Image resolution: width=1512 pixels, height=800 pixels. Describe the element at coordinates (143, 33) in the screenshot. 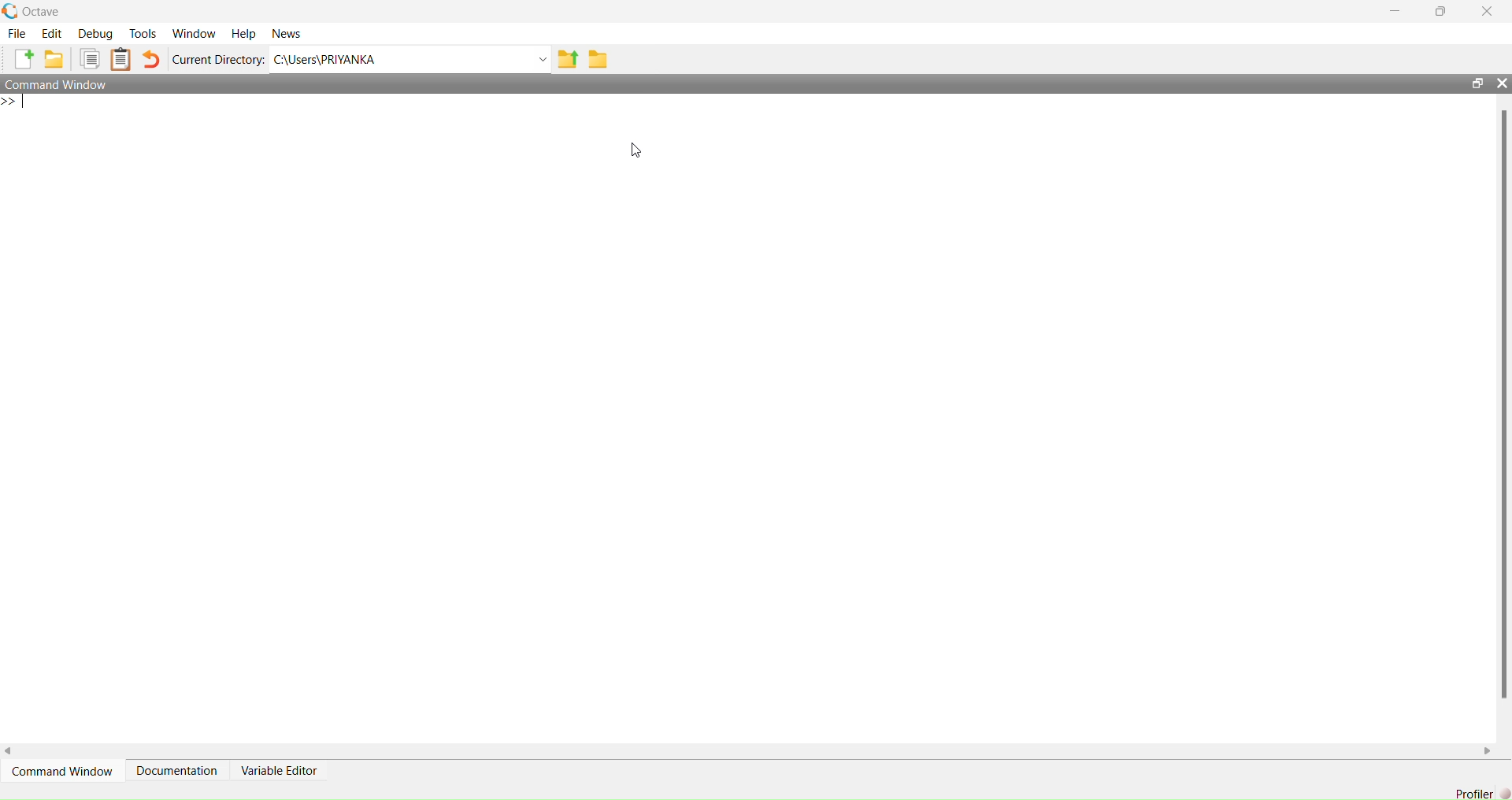

I see `Tools` at that location.